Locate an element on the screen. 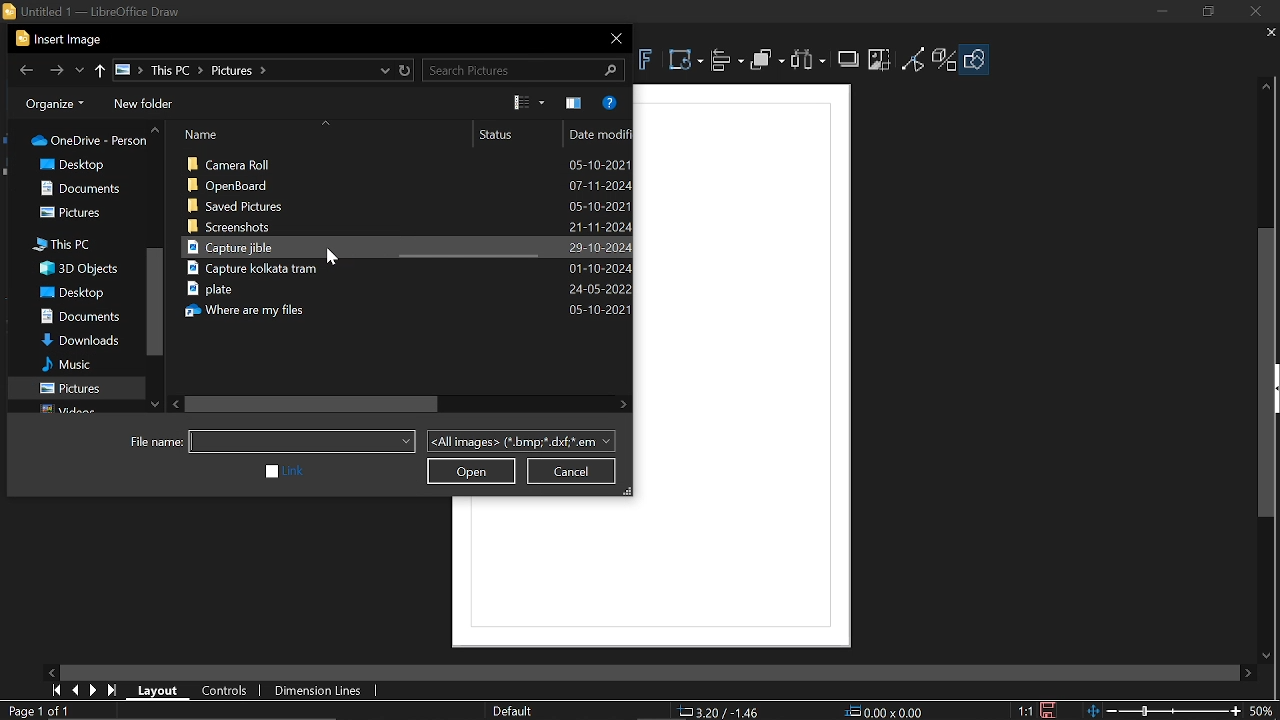 The width and height of the screenshot is (1280, 720). link is located at coordinates (287, 472).